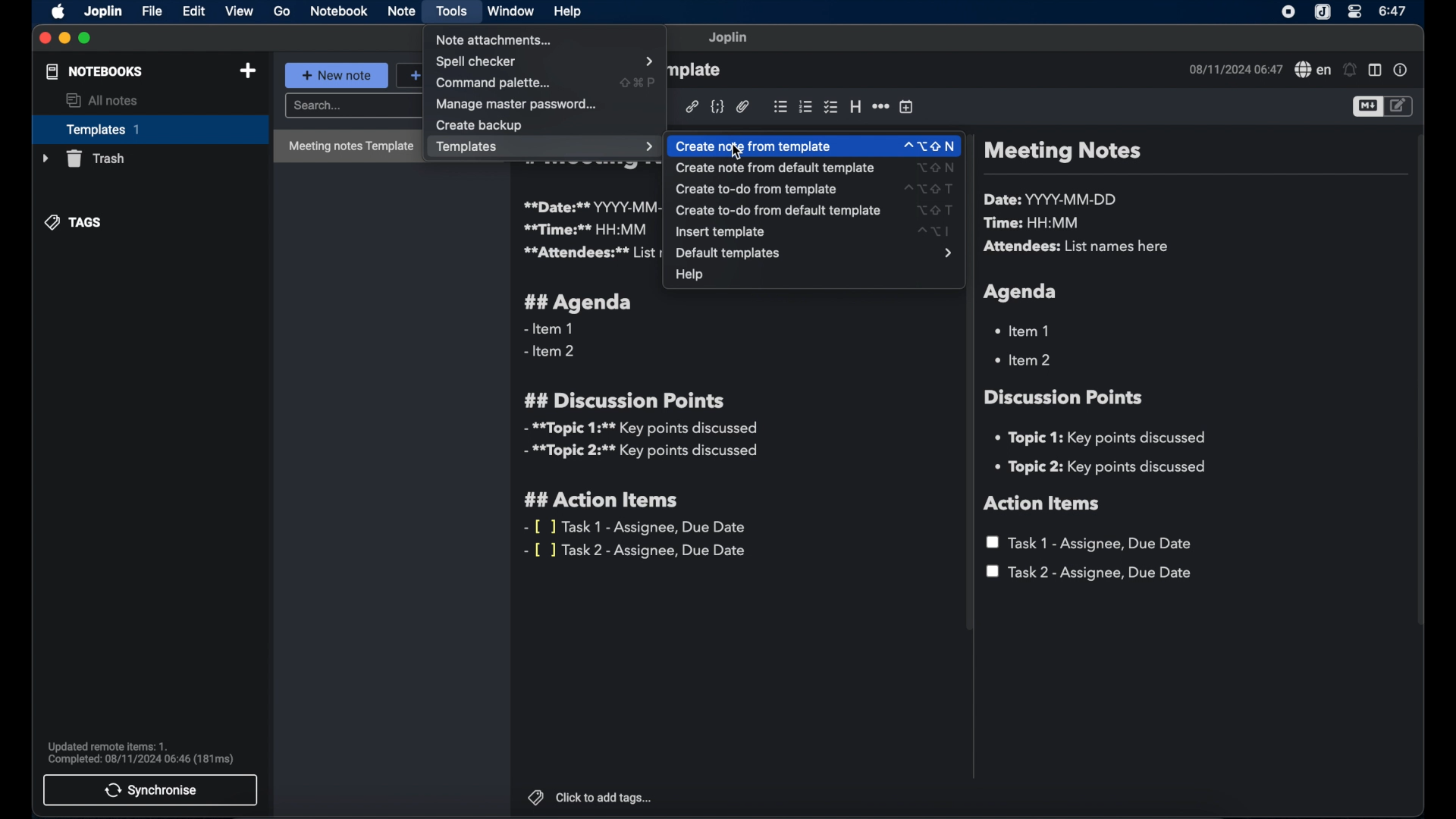 This screenshot has width=1456, height=819. What do you see at coordinates (519, 104) in the screenshot?
I see `manage master password` at bounding box center [519, 104].